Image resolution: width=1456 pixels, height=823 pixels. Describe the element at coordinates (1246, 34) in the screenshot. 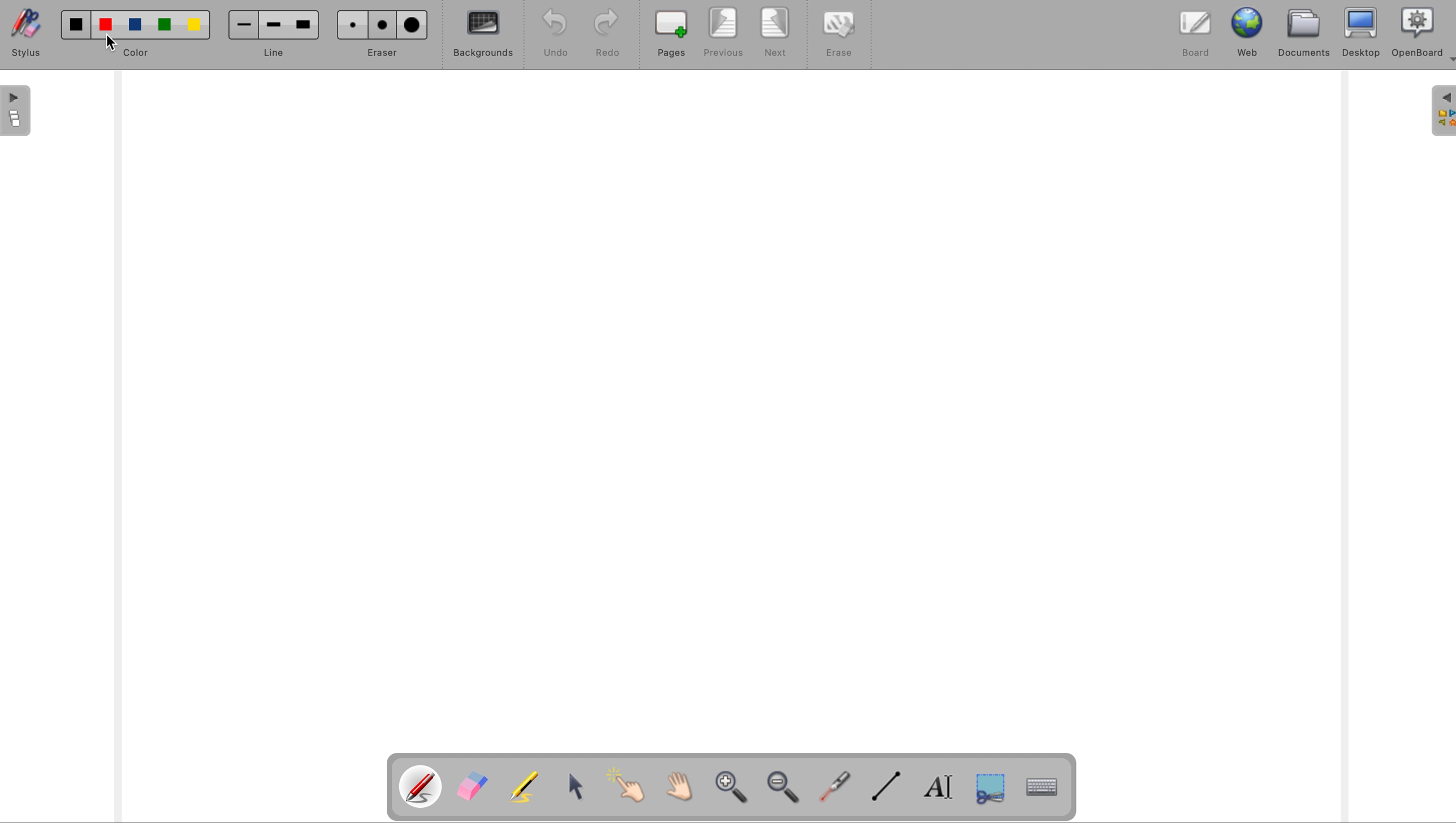

I see `web` at that location.